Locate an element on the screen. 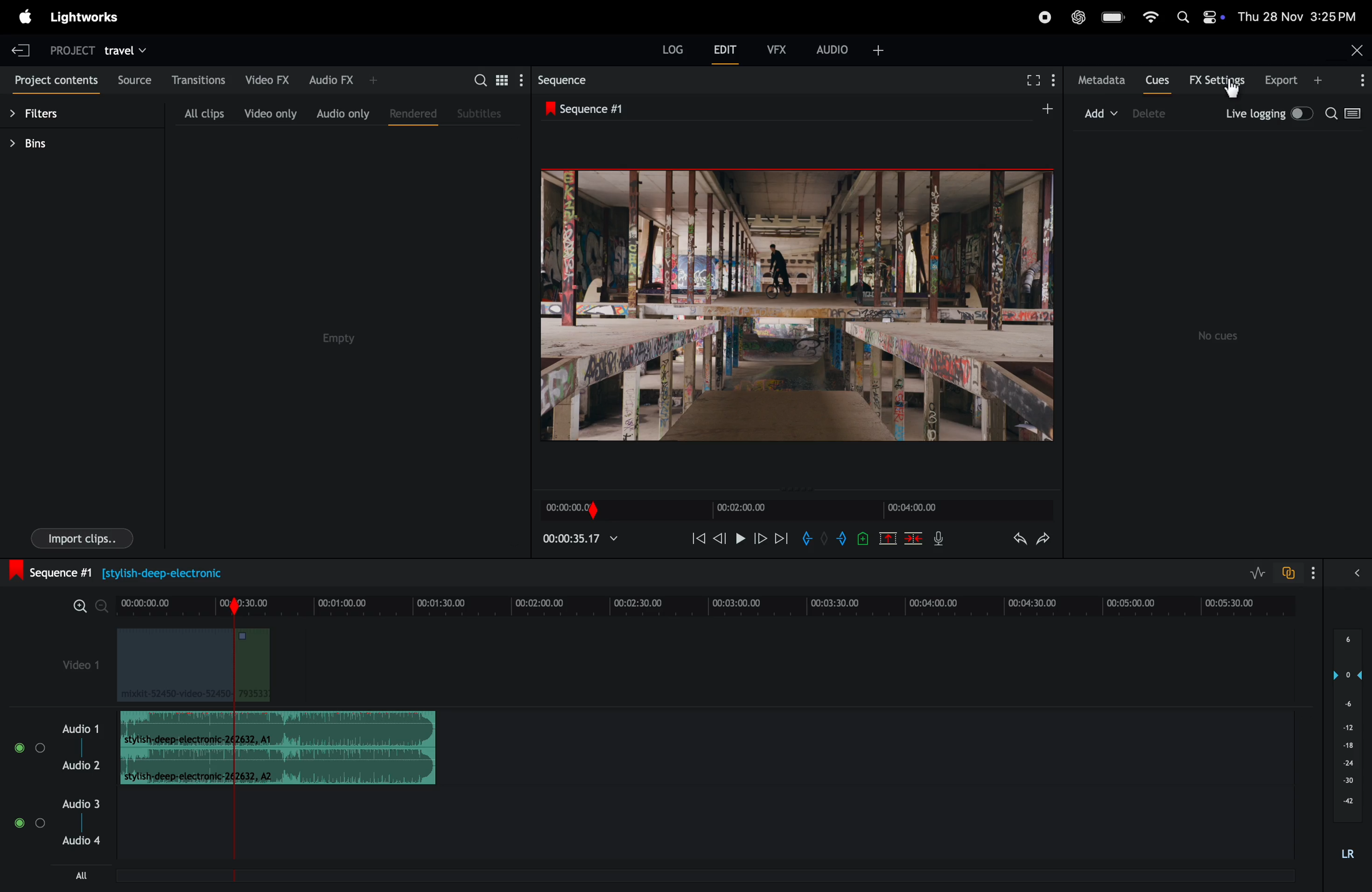 Image resolution: width=1372 pixels, height=892 pixels. zoom in zoom out is located at coordinates (89, 607).